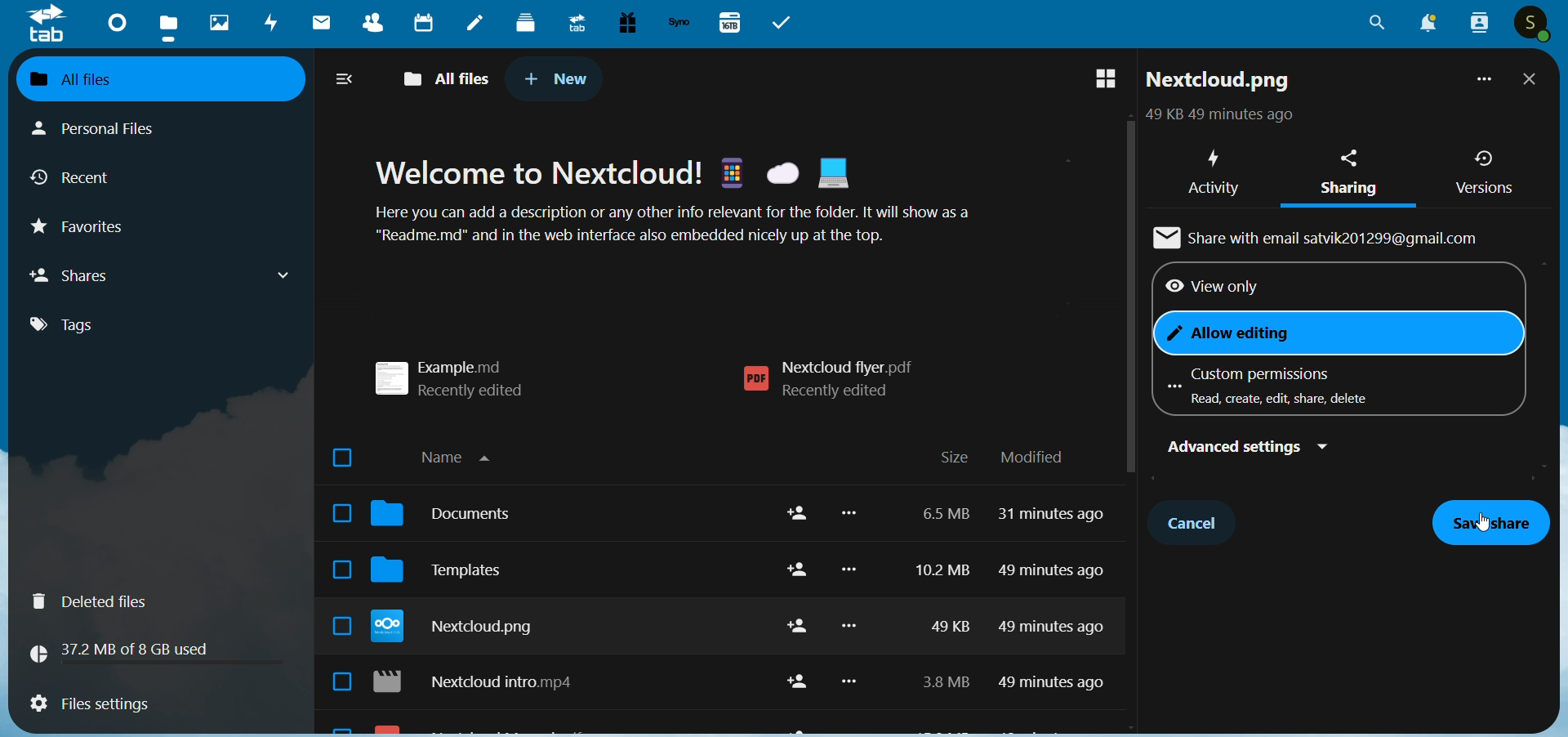  I want to click on activity, so click(273, 25).